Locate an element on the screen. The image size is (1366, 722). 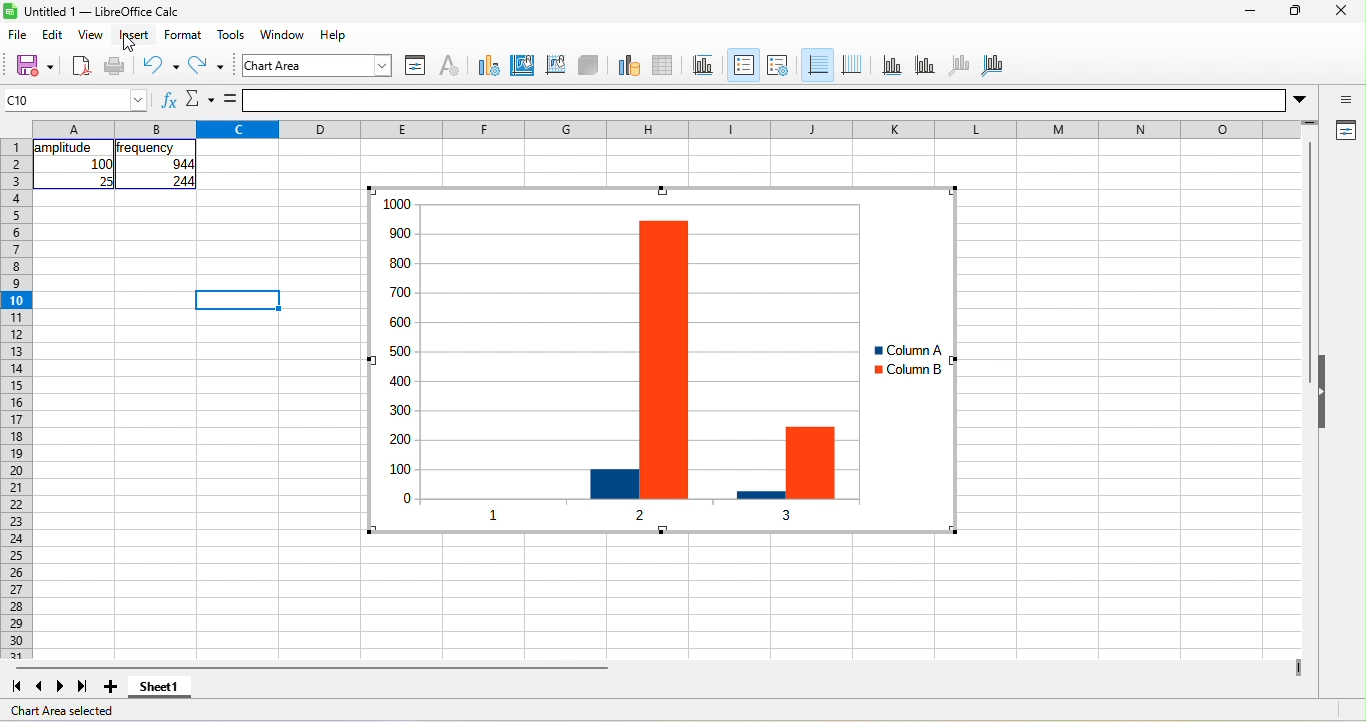
vertical grids is located at coordinates (852, 65).